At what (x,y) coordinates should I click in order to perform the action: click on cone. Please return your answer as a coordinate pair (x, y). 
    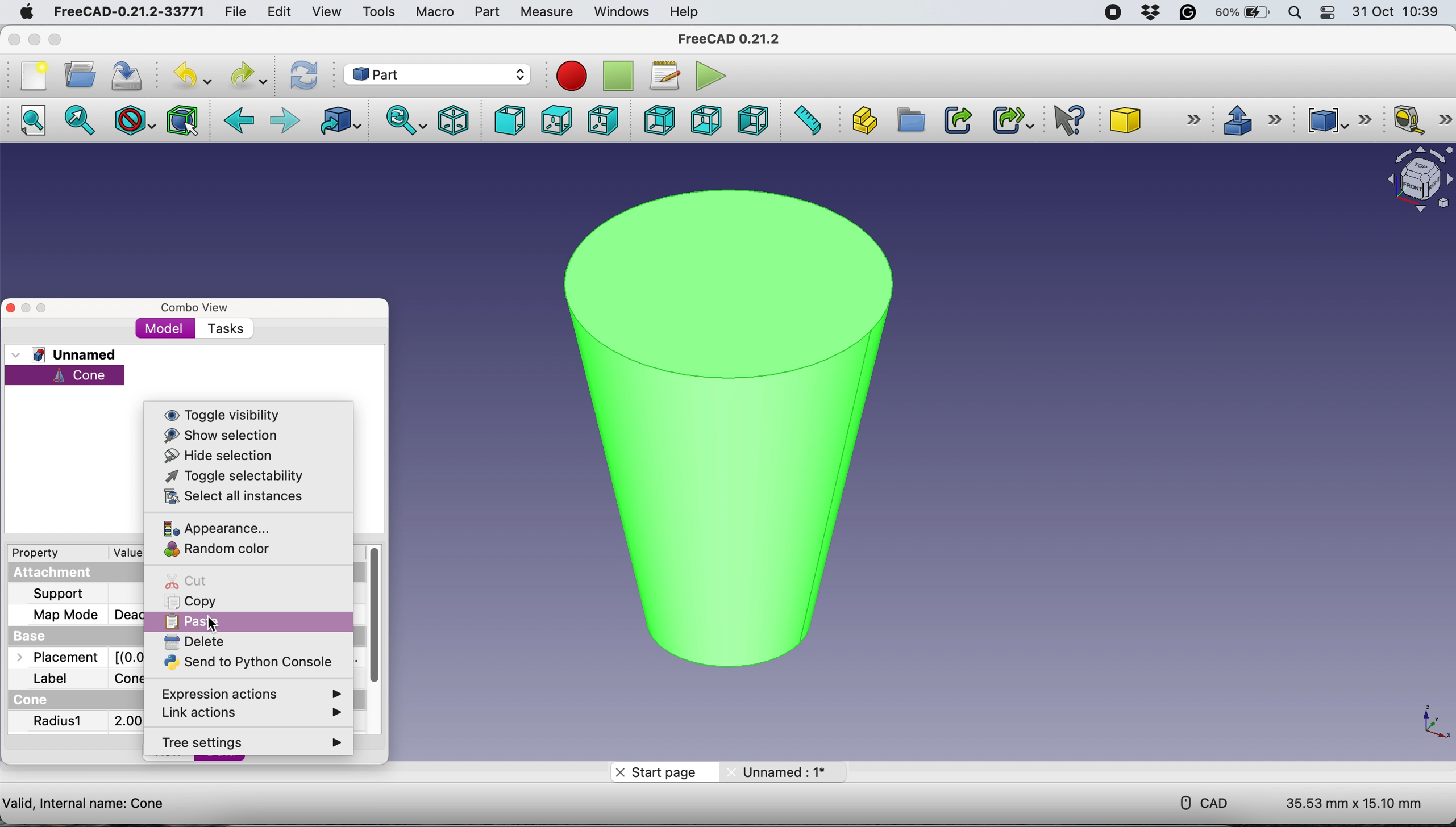
    Looking at the image, I should click on (65, 375).